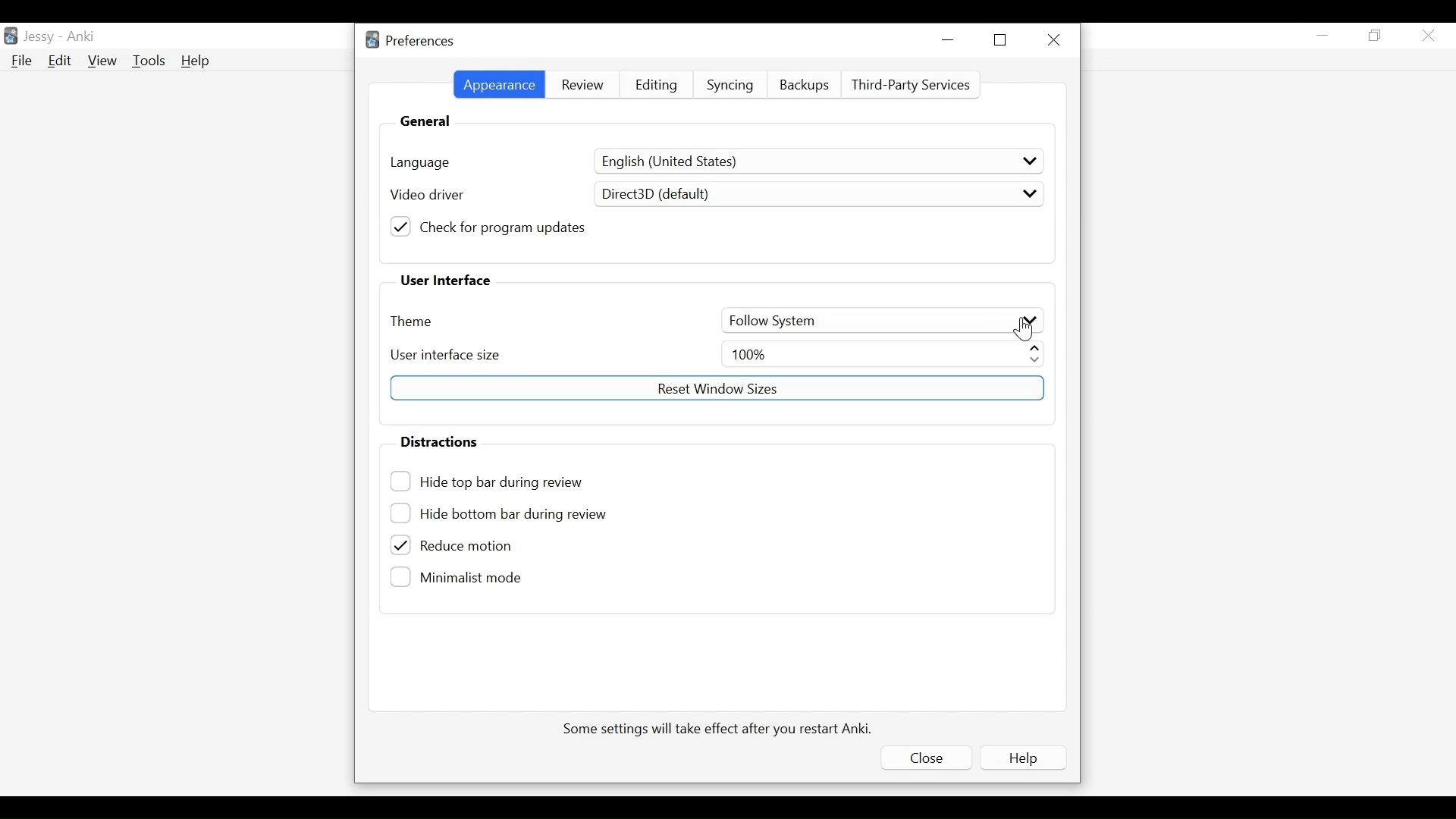  Describe the element at coordinates (1021, 758) in the screenshot. I see `Help` at that location.